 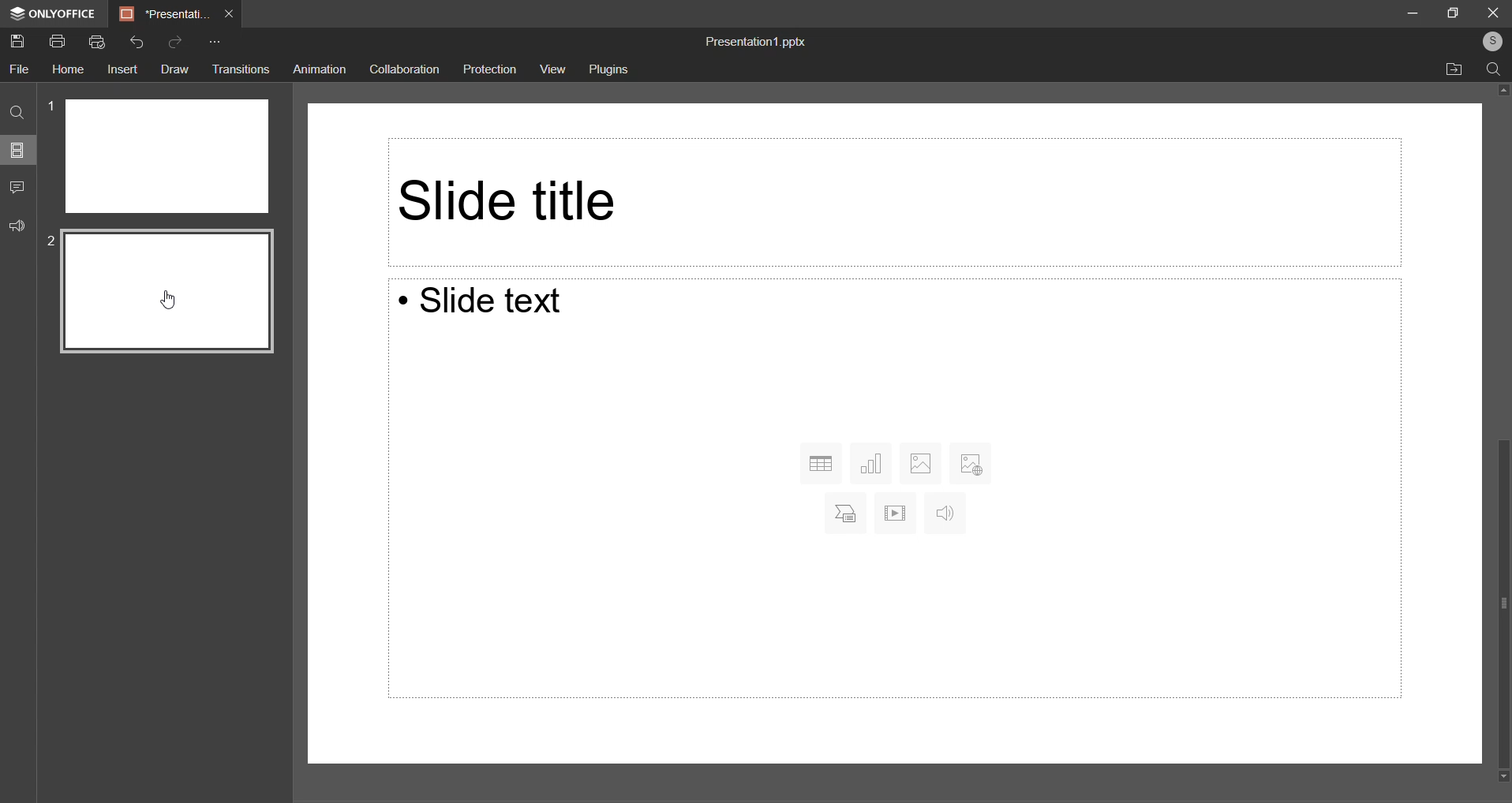 What do you see at coordinates (920, 461) in the screenshot?
I see `Image ` at bounding box center [920, 461].